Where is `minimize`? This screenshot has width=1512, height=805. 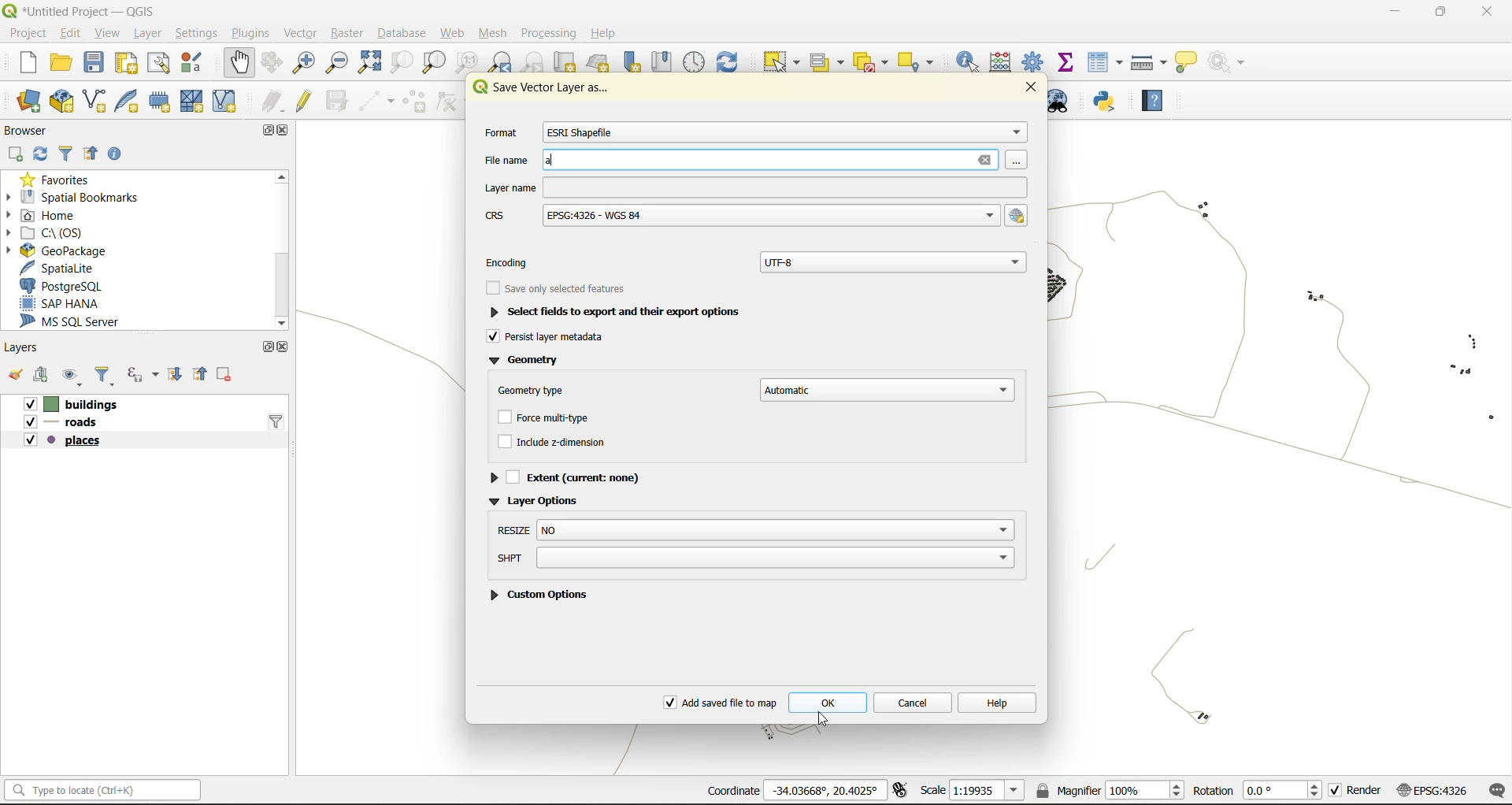 minimize is located at coordinates (1397, 14).